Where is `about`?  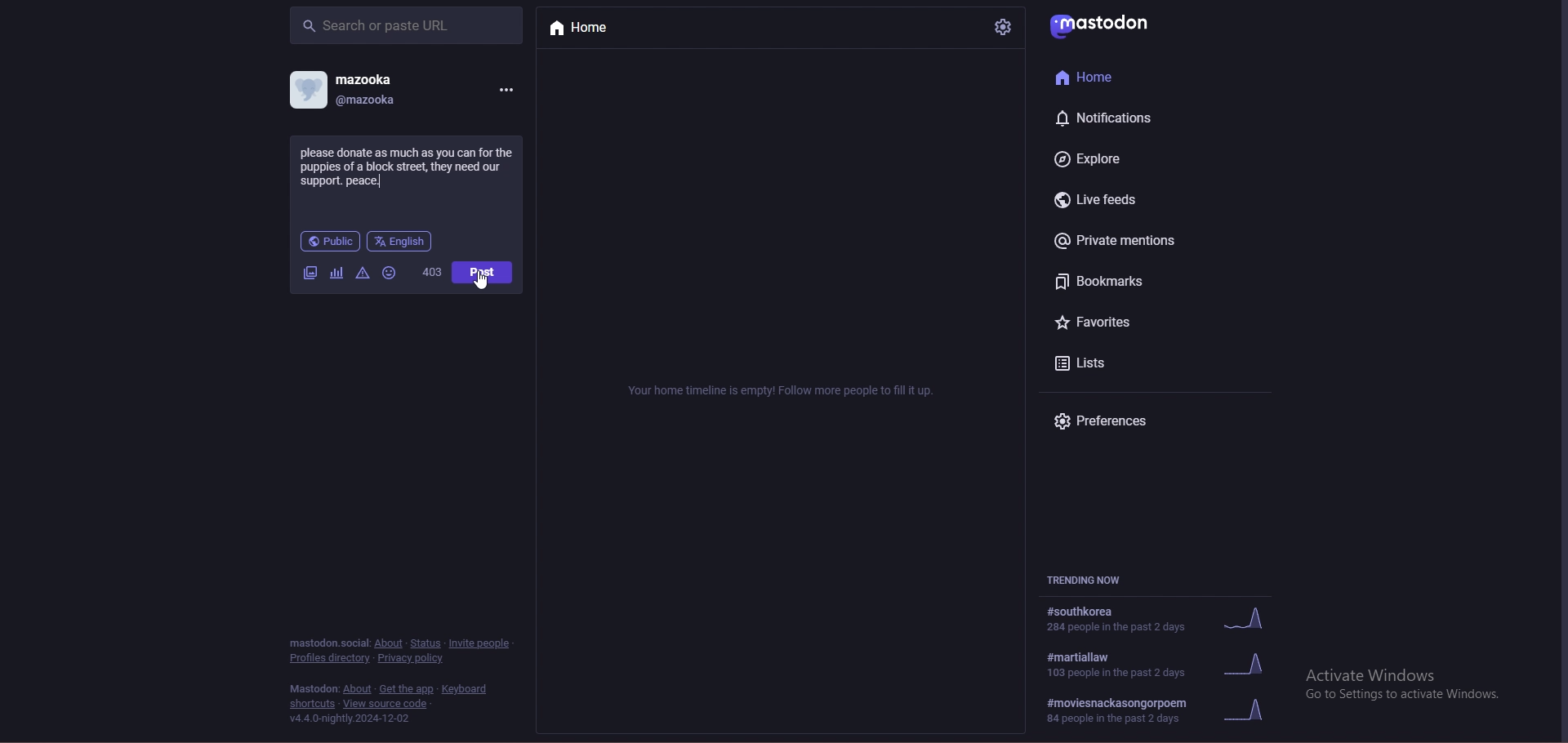 about is located at coordinates (388, 643).